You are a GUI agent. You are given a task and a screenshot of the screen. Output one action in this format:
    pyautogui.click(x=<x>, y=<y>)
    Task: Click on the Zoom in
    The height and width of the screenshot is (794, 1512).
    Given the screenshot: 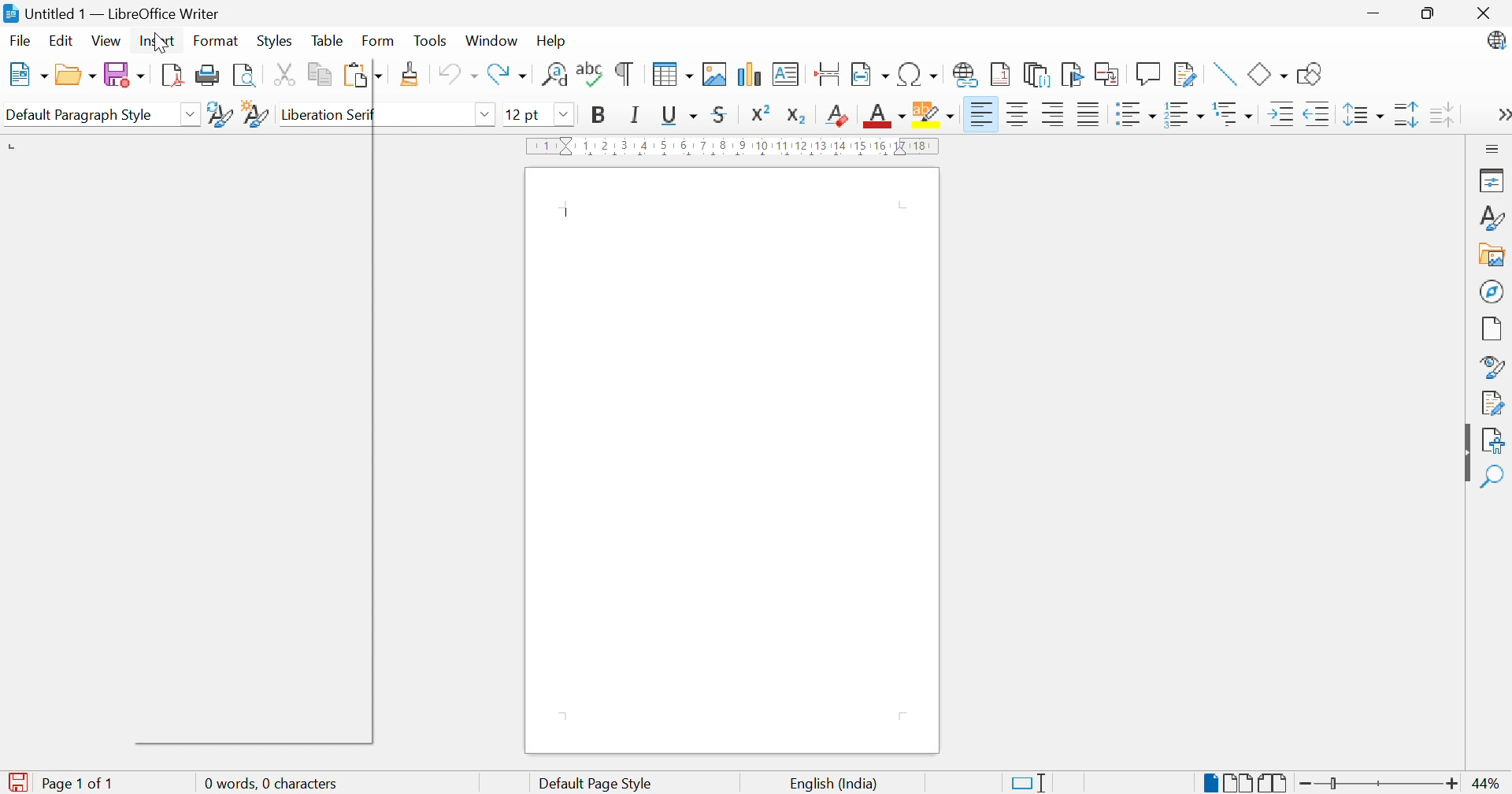 What is the action you would take?
    pyautogui.click(x=1451, y=785)
    